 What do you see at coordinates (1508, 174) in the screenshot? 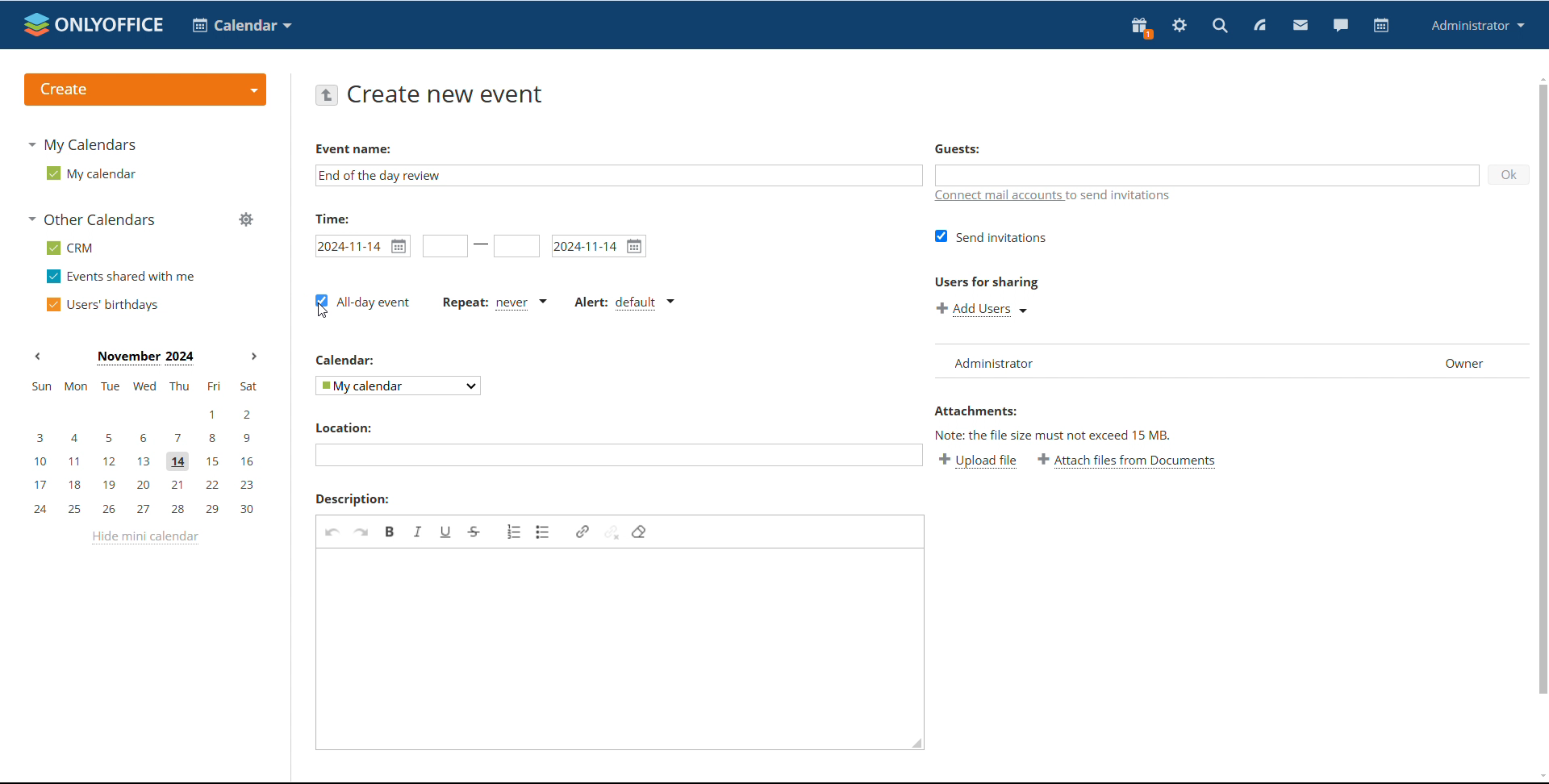
I see `ok` at bounding box center [1508, 174].